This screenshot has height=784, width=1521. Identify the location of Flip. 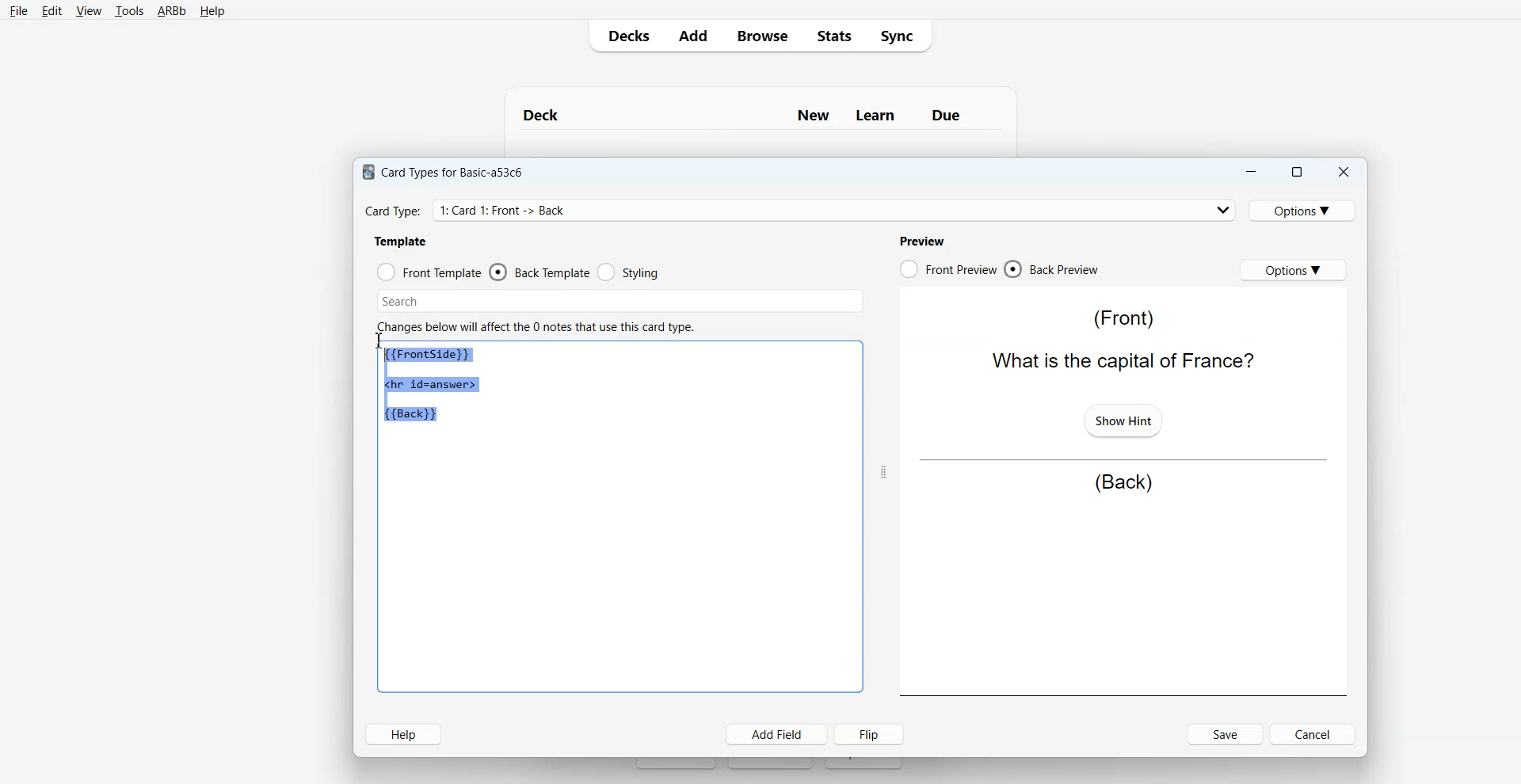
(872, 733).